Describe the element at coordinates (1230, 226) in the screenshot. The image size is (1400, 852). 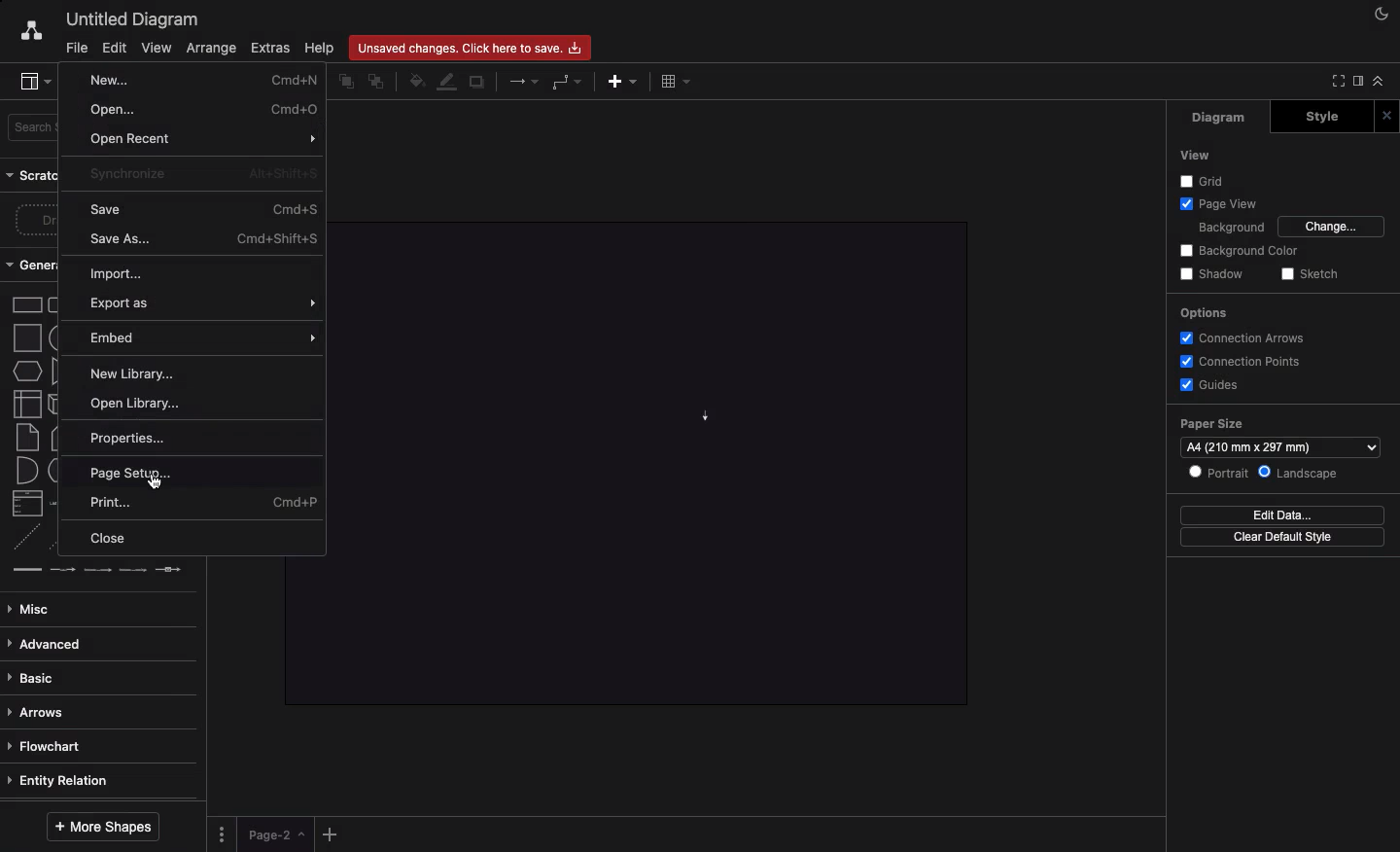
I see `Background` at that location.